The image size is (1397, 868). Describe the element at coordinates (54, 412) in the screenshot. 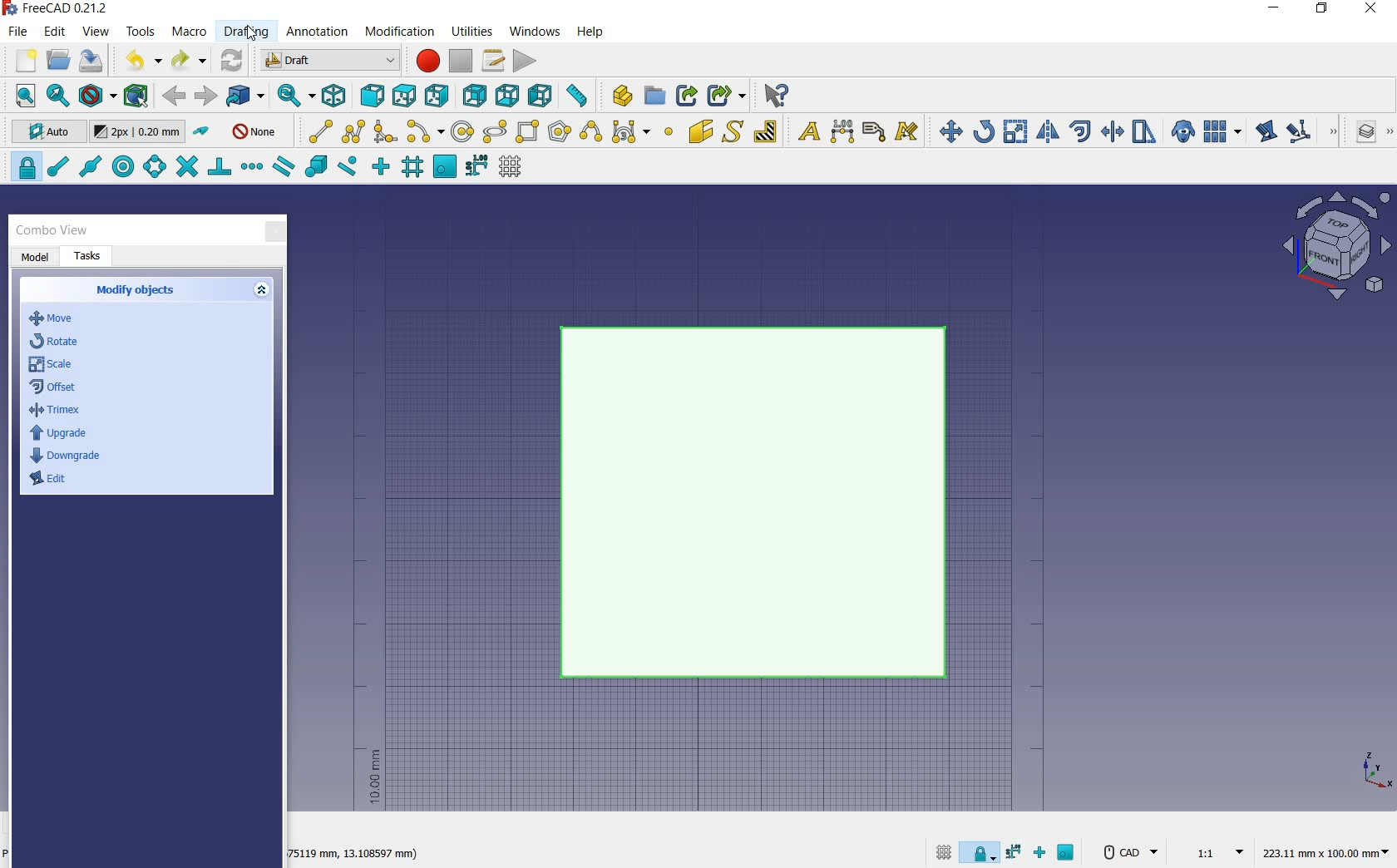

I see `trimex` at that location.